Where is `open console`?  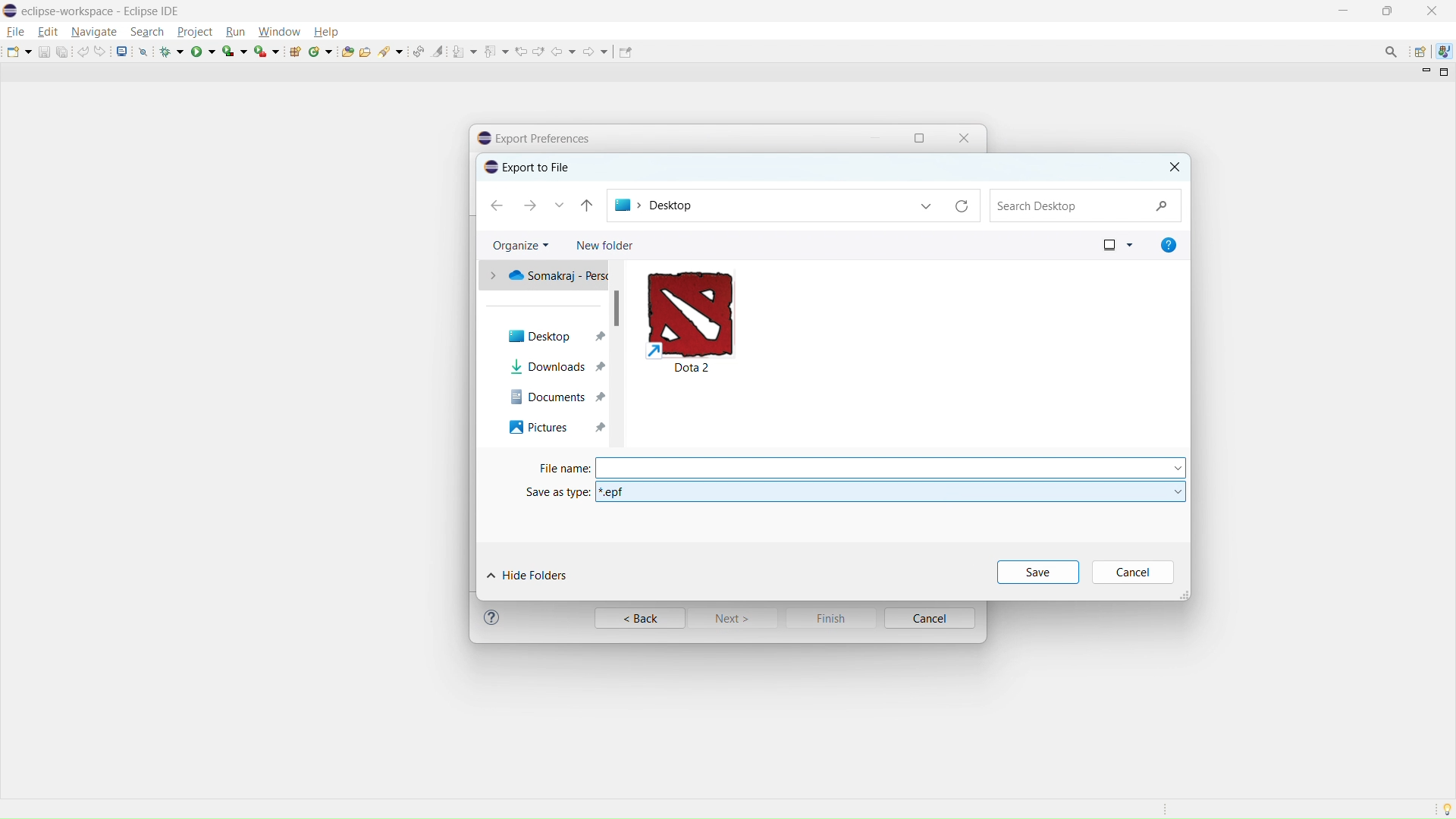 open console is located at coordinates (122, 51).